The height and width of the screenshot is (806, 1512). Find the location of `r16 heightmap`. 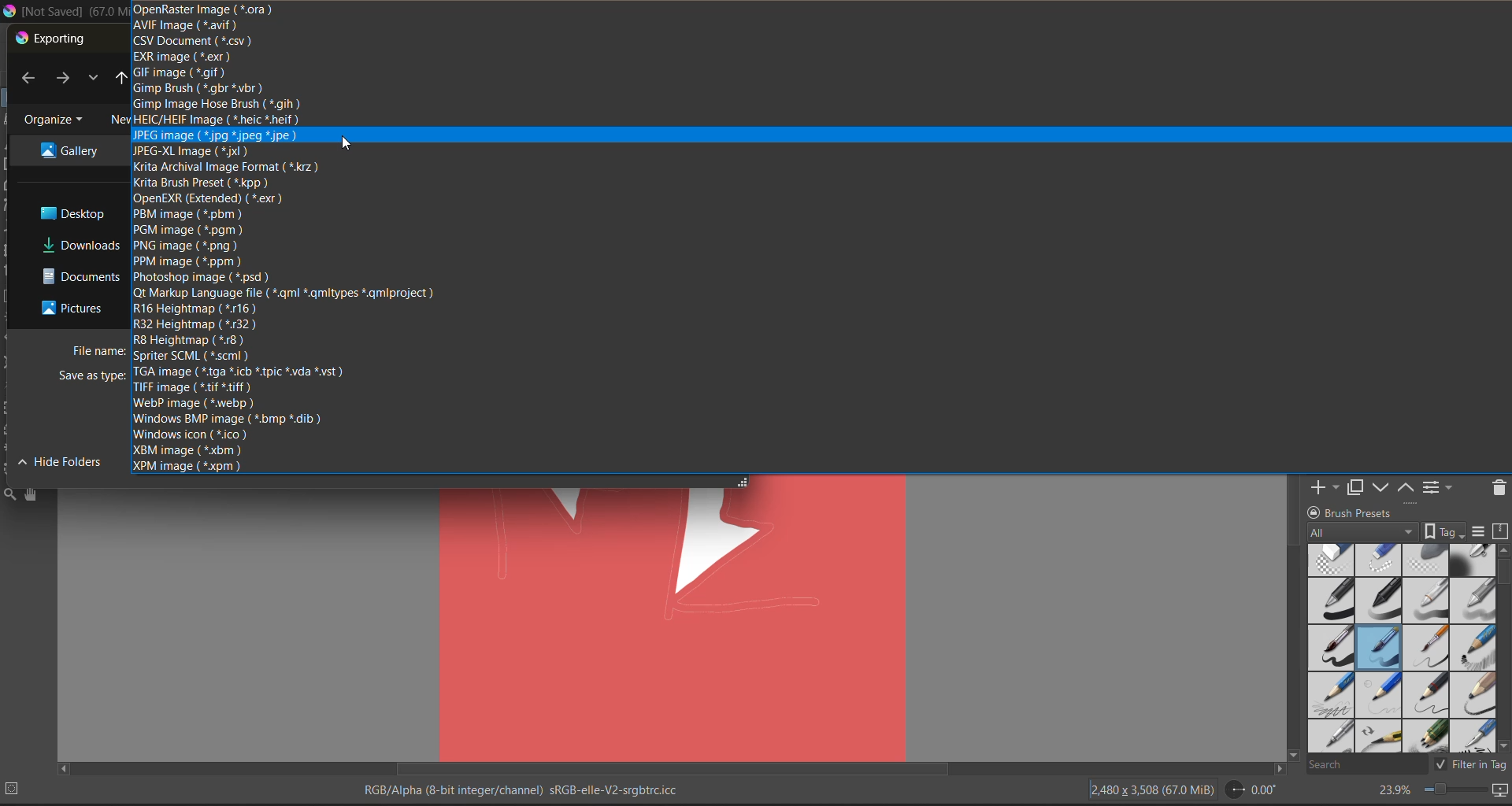

r16 heightmap is located at coordinates (194, 309).